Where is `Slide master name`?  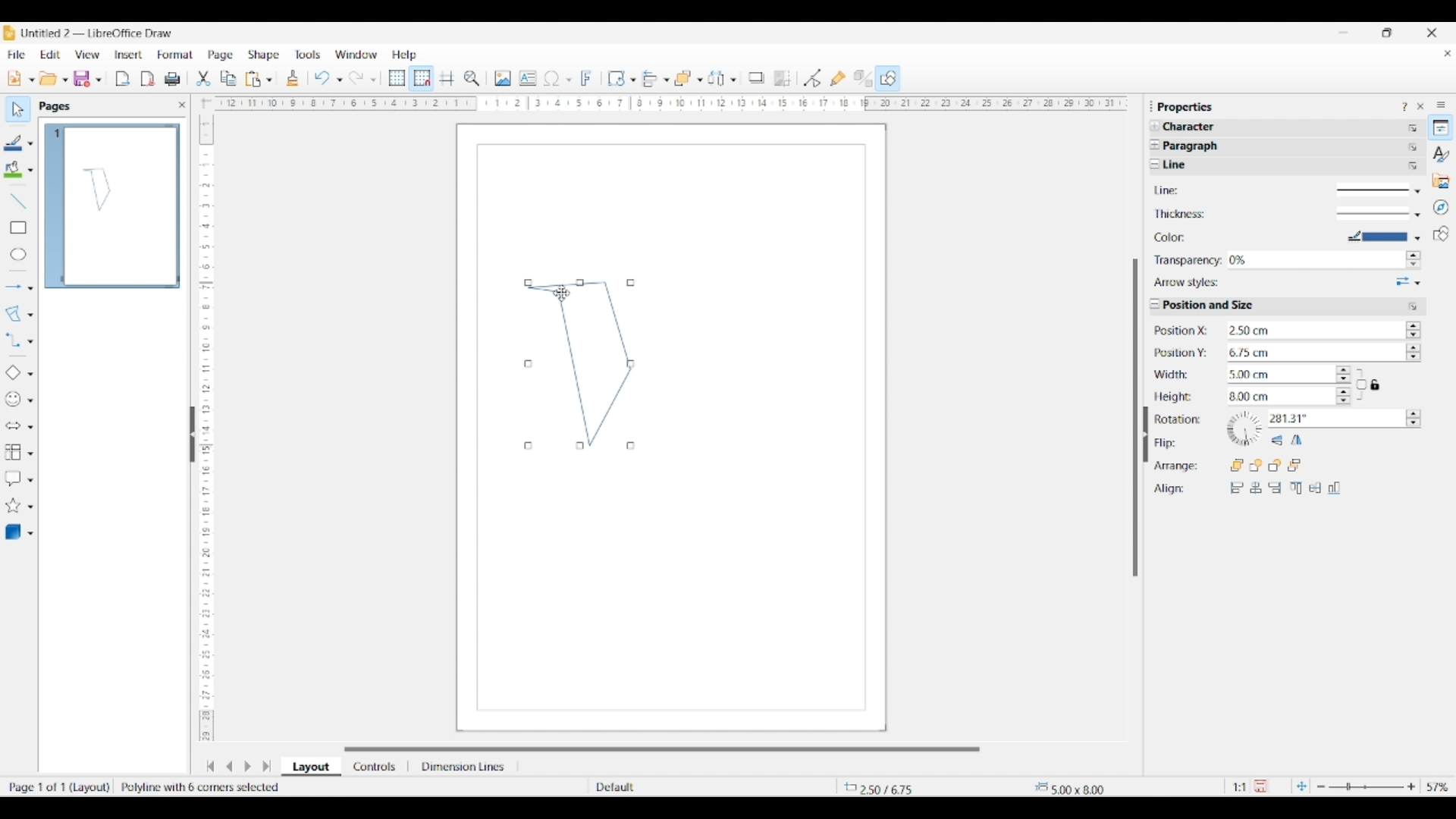
Slide master name is located at coordinates (680, 788).